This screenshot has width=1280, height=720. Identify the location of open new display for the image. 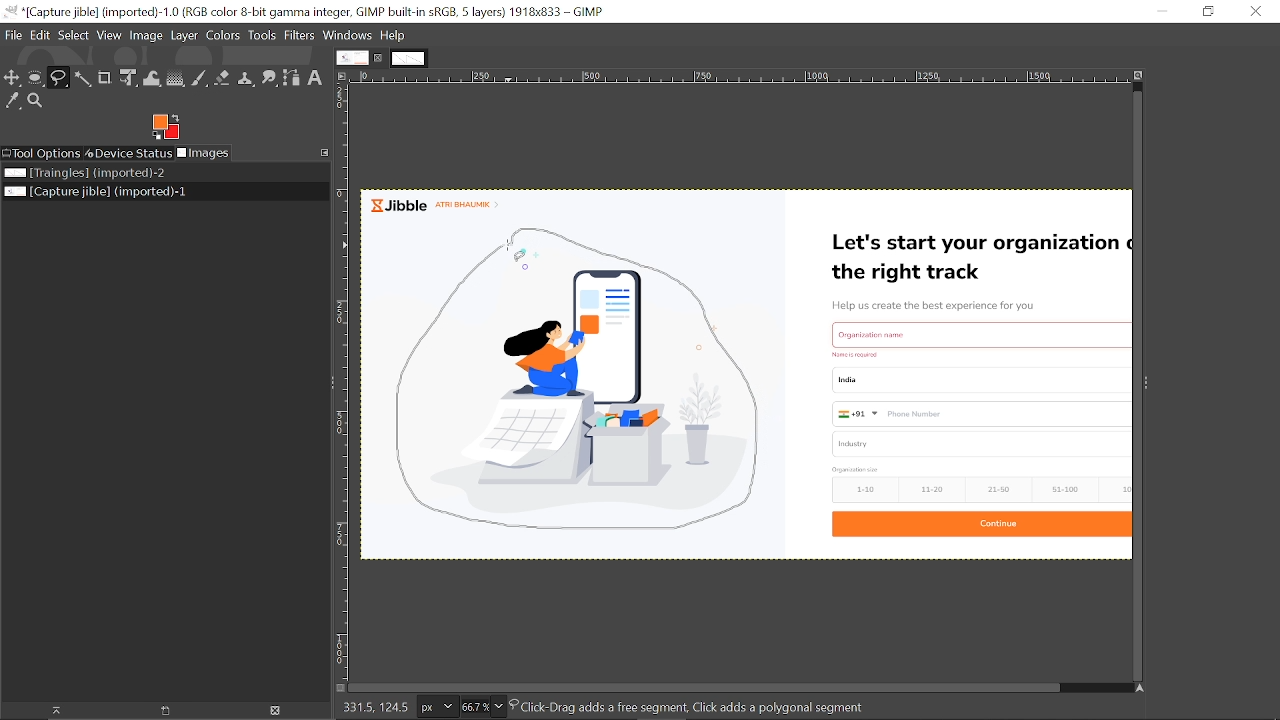
(160, 711).